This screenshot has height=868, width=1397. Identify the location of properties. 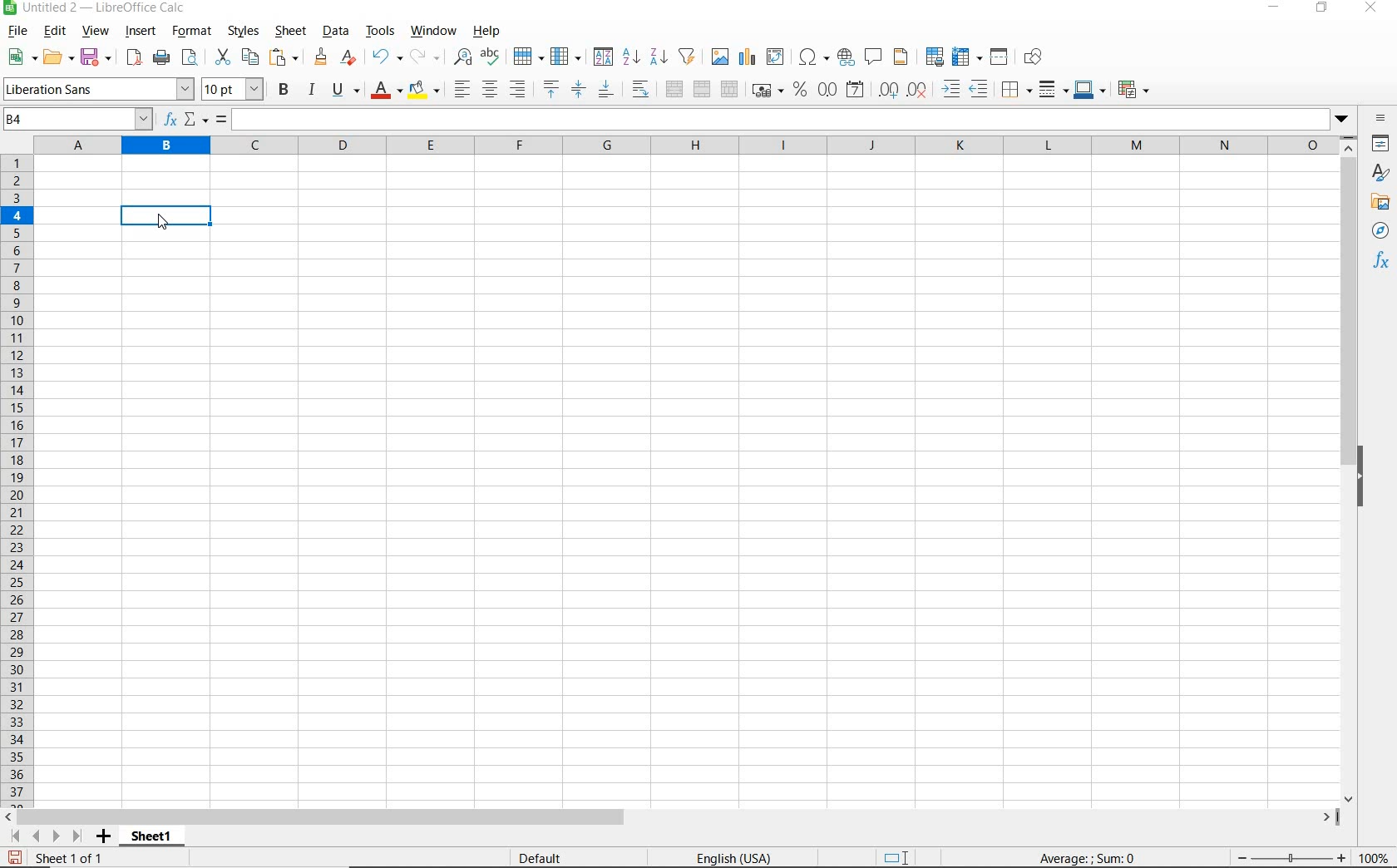
(1382, 145).